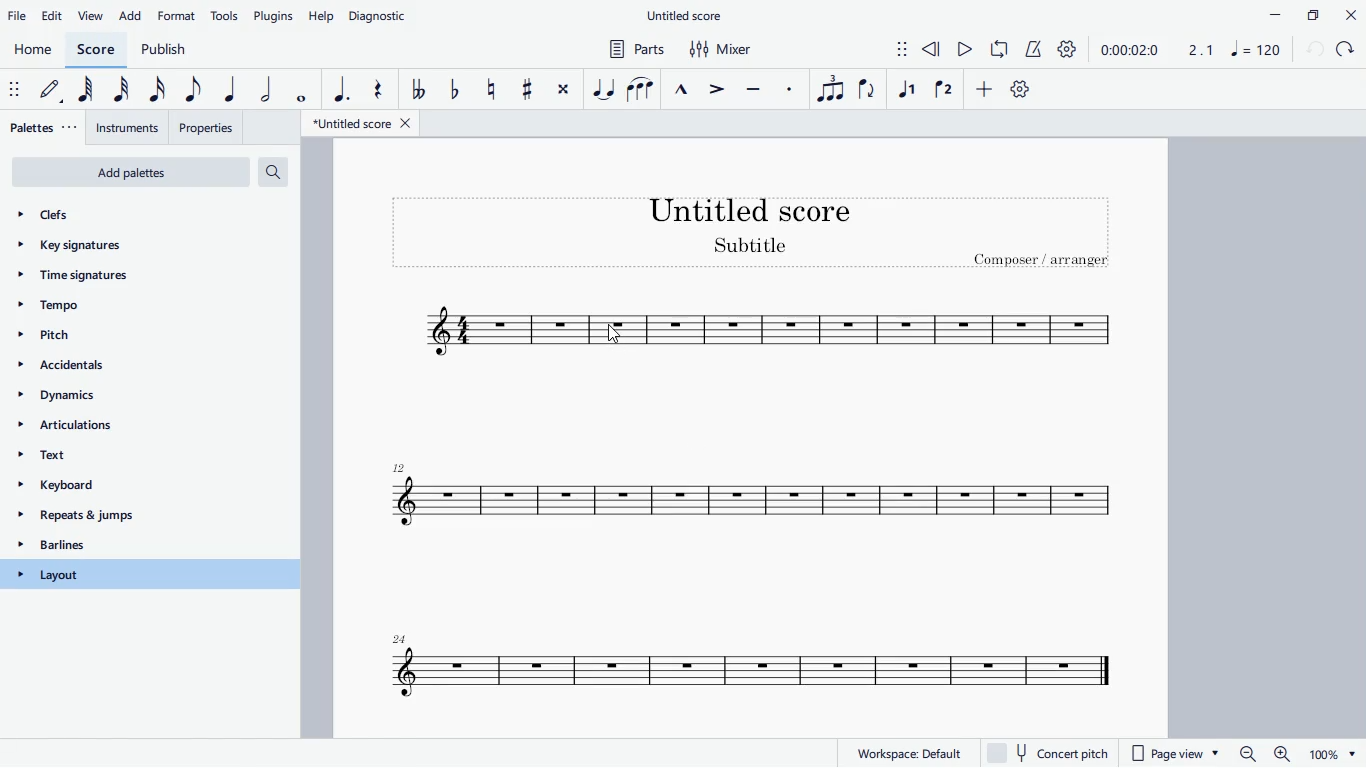 The height and width of the screenshot is (768, 1366). I want to click on toggle double flat, so click(417, 91).